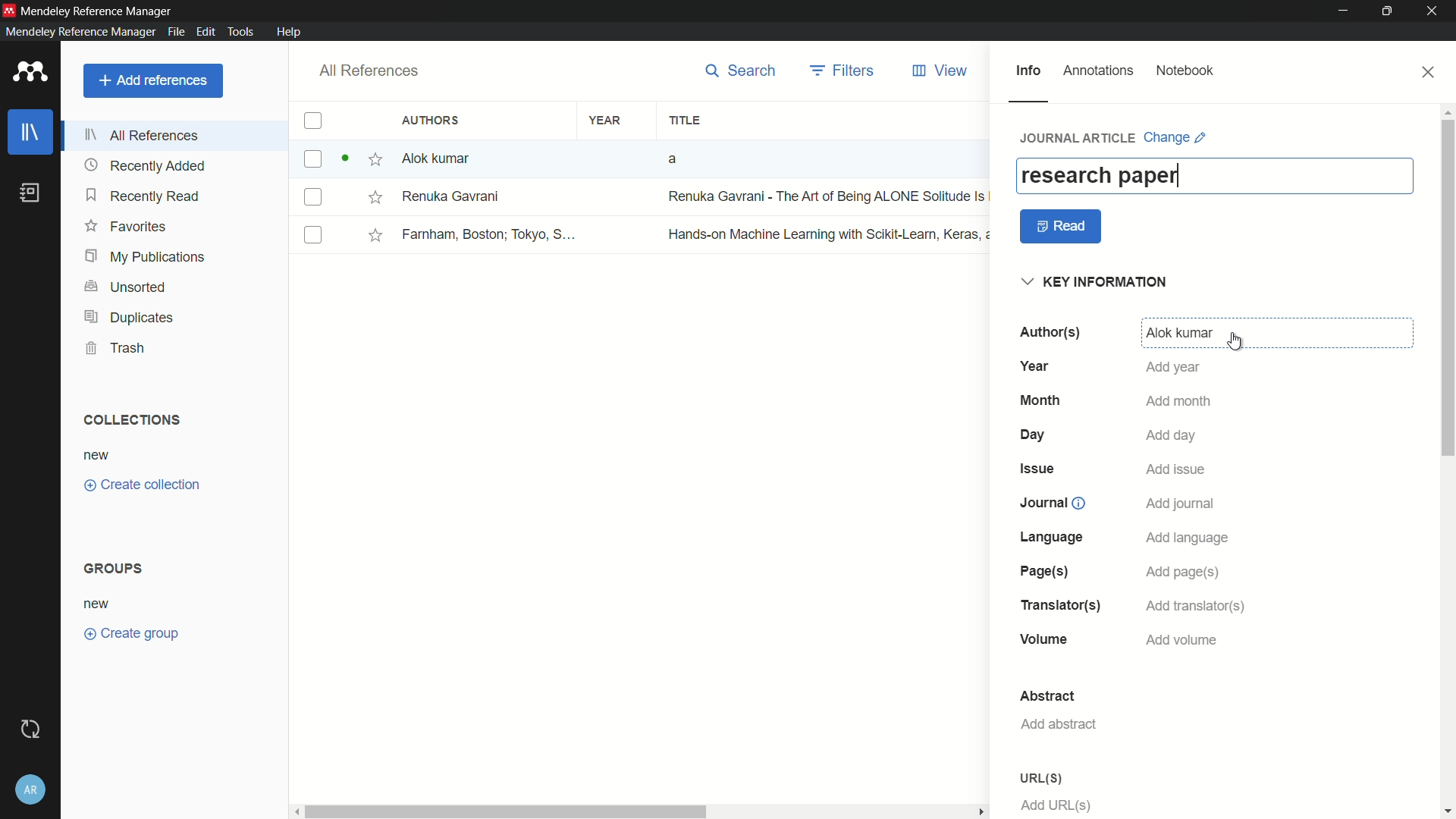 Image resolution: width=1456 pixels, height=819 pixels. Describe the element at coordinates (541, 158) in the screenshot. I see `book-1` at that location.